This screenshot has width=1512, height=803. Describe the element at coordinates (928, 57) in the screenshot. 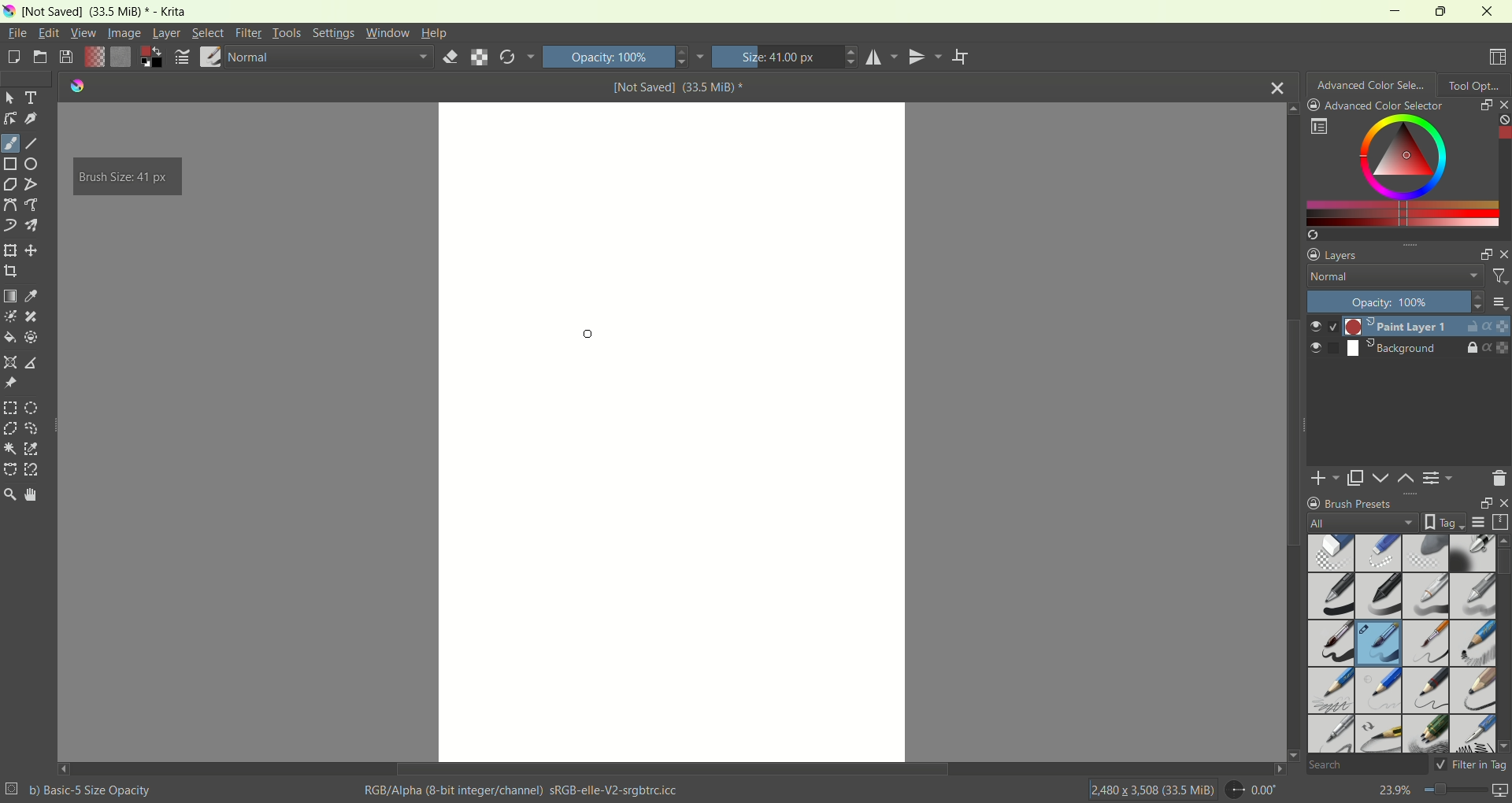

I see `vertical mirror tool` at that location.